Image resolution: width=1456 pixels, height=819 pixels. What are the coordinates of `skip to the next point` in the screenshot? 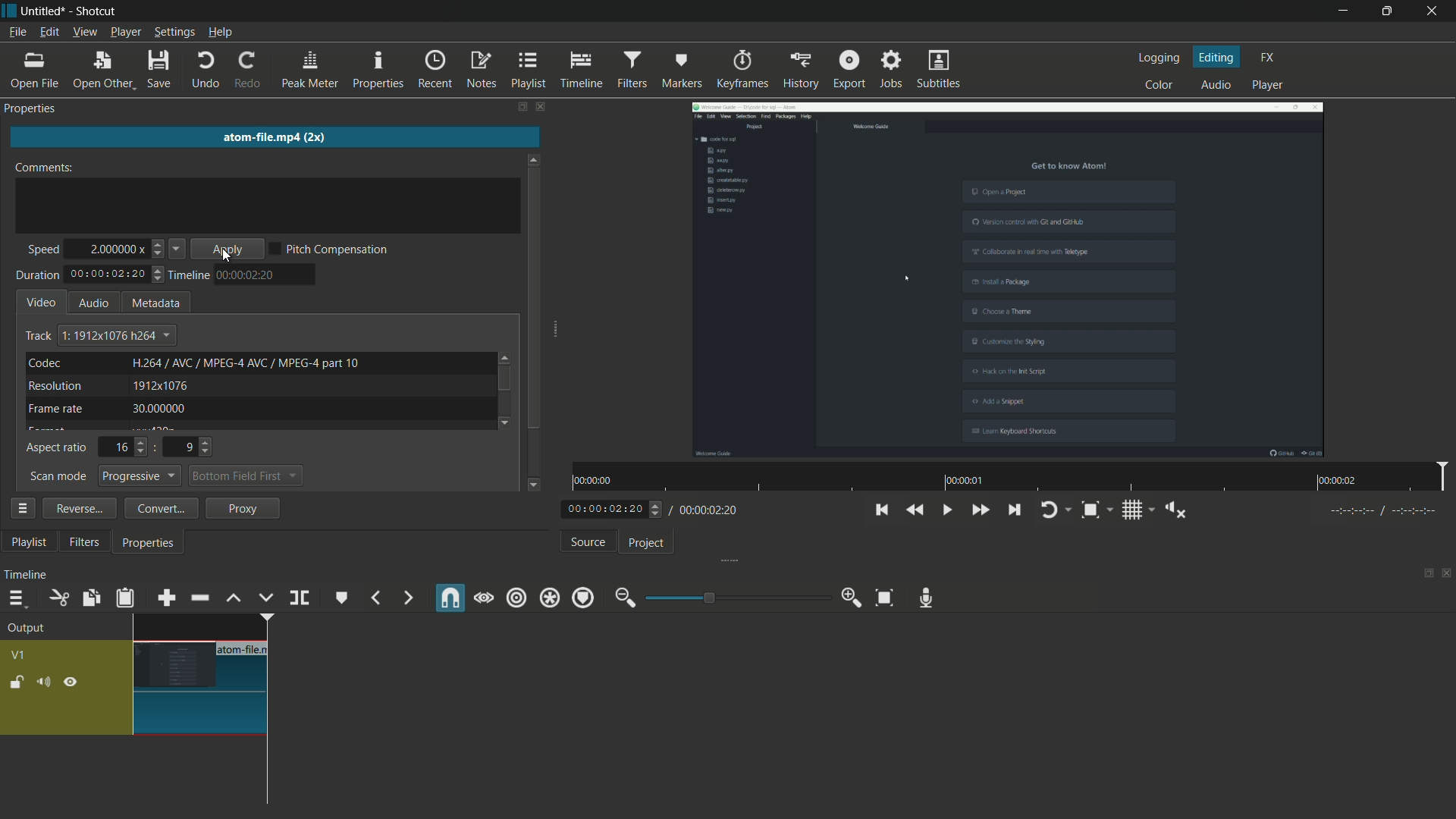 It's located at (1014, 511).